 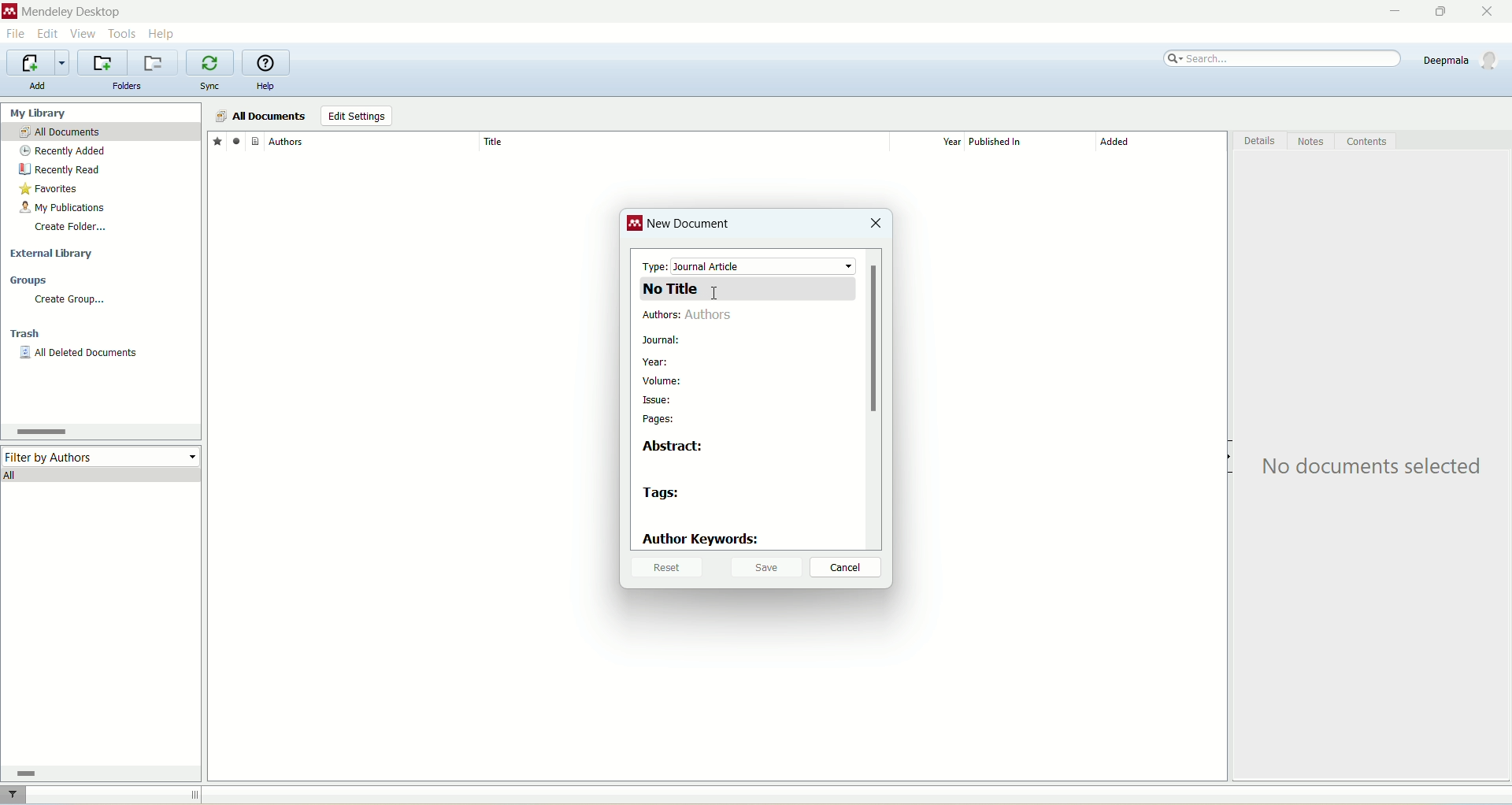 What do you see at coordinates (702, 540) in the screenshot?
I see `author keywords` at bounding box center [702, 540].